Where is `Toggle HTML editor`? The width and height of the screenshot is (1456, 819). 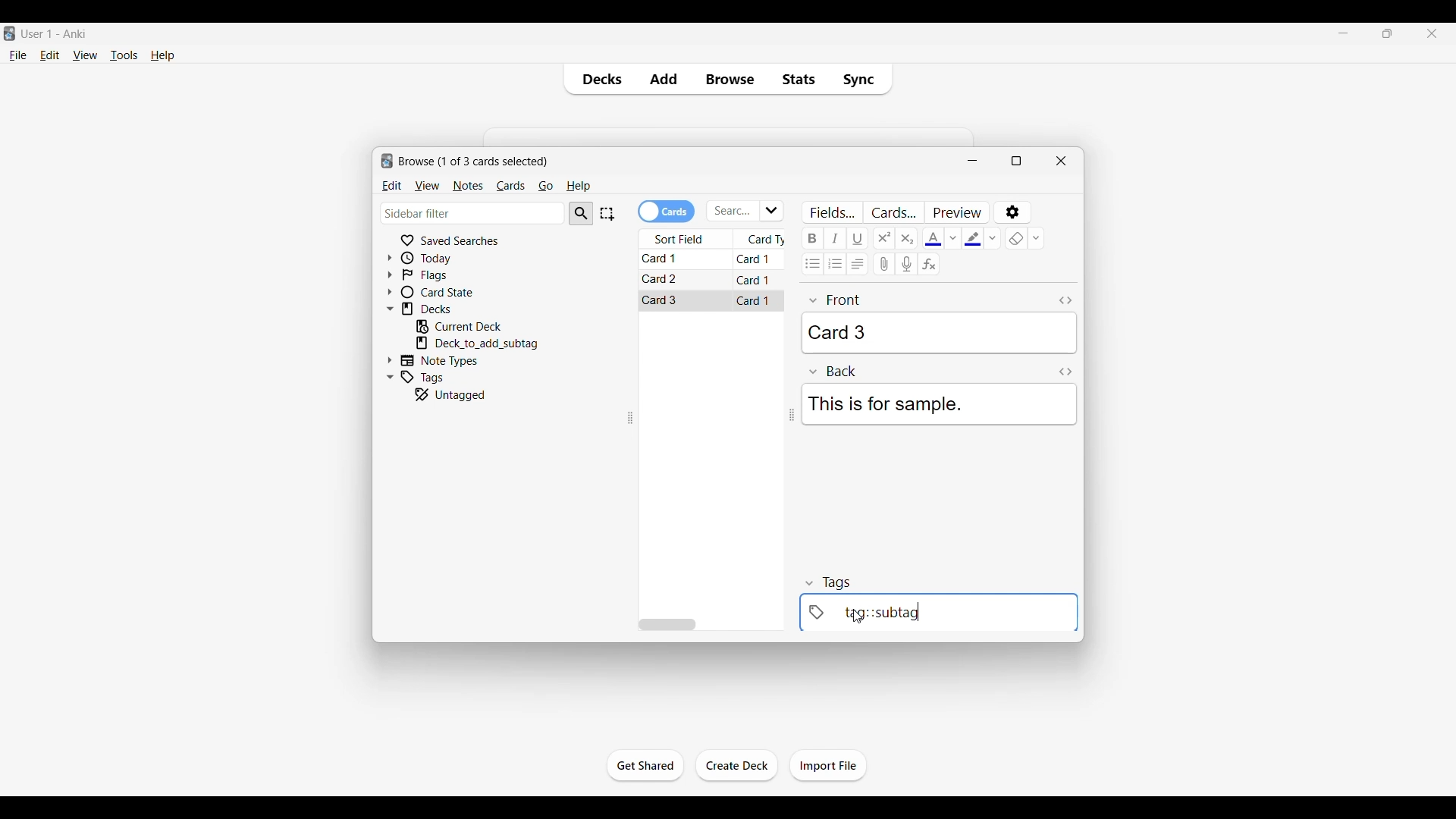 Toggle HTML editor is located at coordinates (1065, 301).